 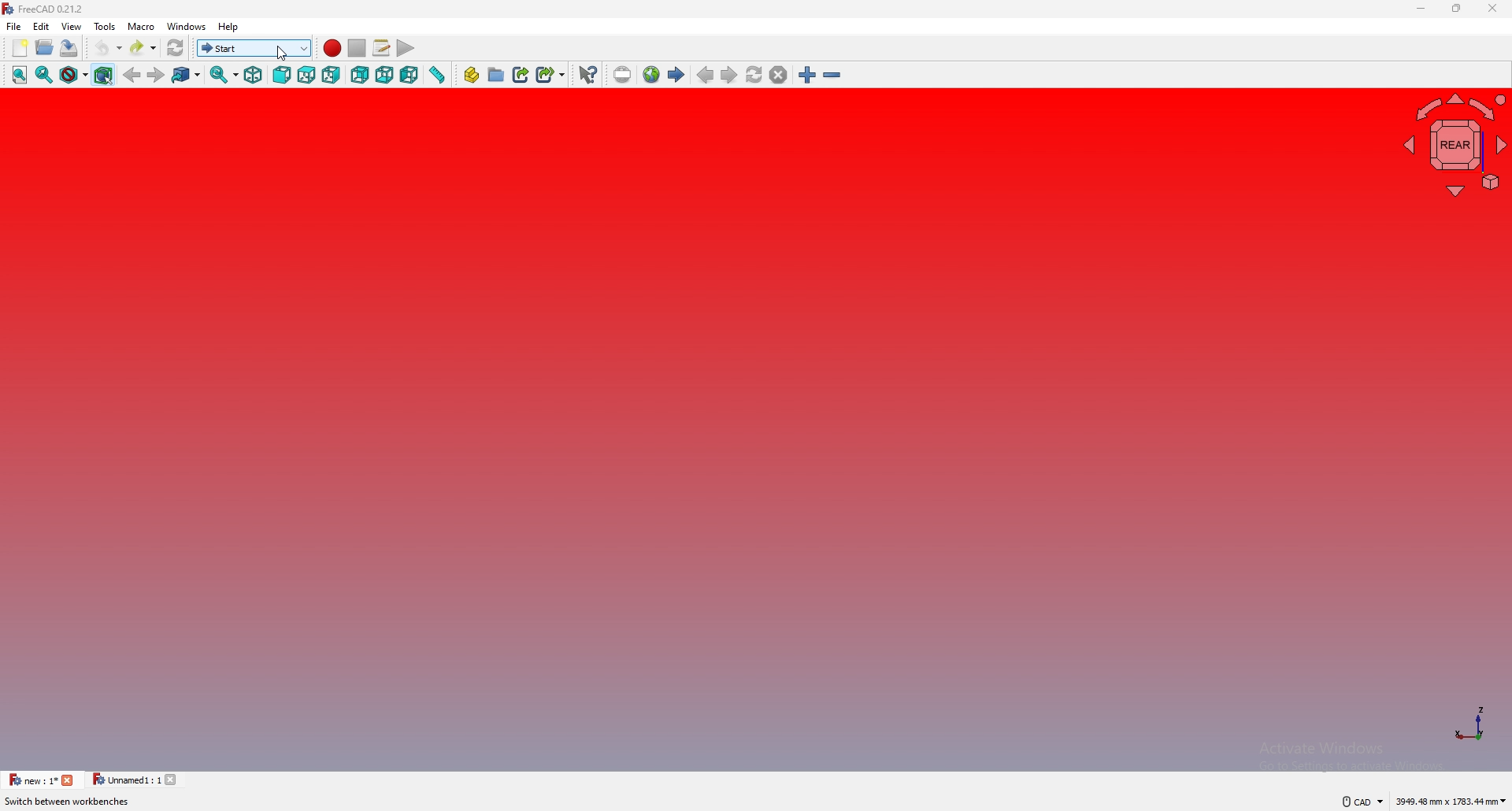 What do you see at coordinates (360, 75) in the screenshot?
I see `back` at bounding box center [360, 75].